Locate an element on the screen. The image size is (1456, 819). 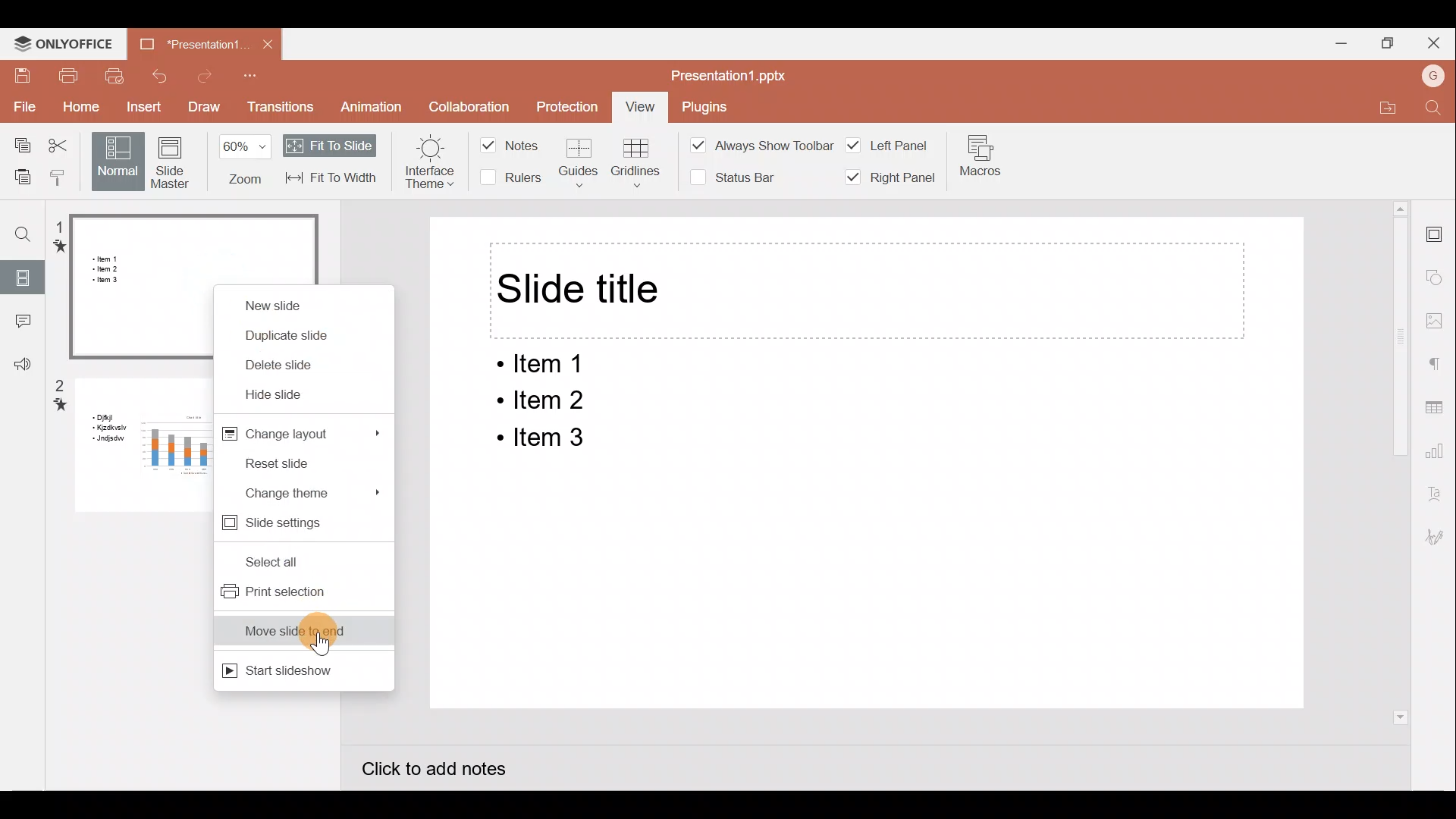
Print selection is located at coordinates (294, 589).